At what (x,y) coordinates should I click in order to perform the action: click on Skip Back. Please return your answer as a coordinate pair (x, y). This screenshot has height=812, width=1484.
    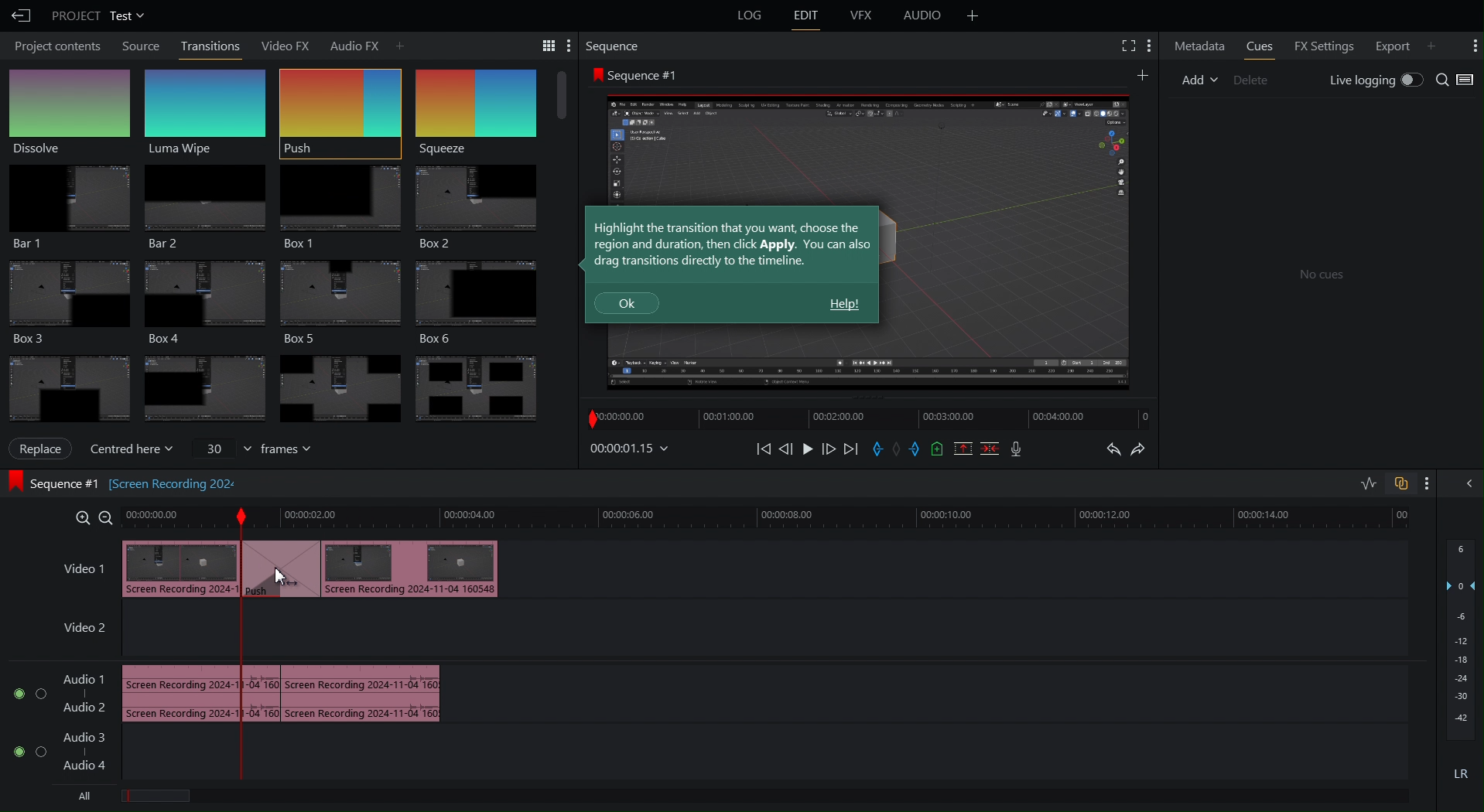
    Looking at the image, I should click on (764, 449).